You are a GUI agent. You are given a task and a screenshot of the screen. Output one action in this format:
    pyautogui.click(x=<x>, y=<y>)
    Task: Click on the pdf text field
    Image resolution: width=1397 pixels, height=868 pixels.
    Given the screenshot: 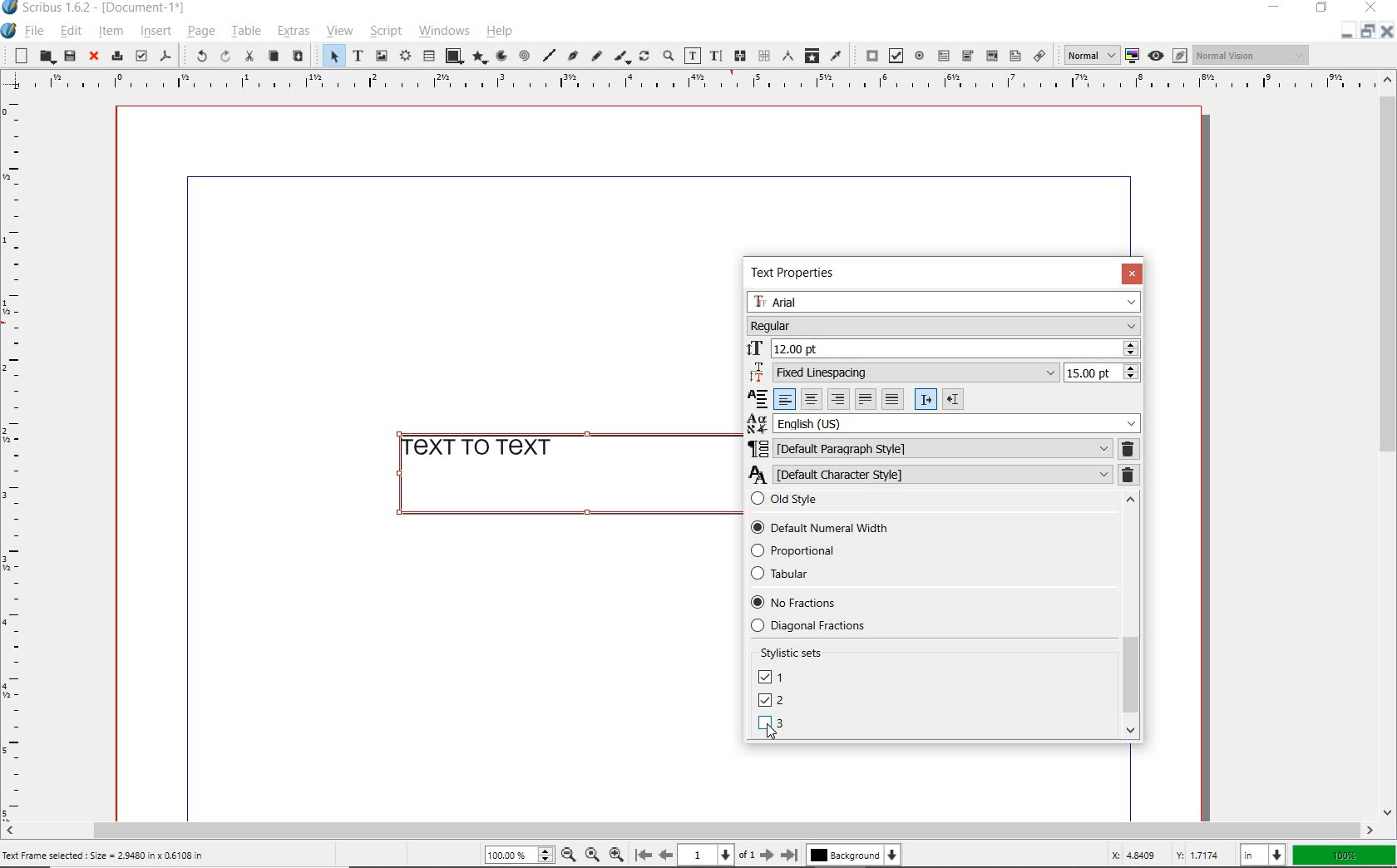 What is the action you would take?
    pyautogui.click(x=943, y=55)
    